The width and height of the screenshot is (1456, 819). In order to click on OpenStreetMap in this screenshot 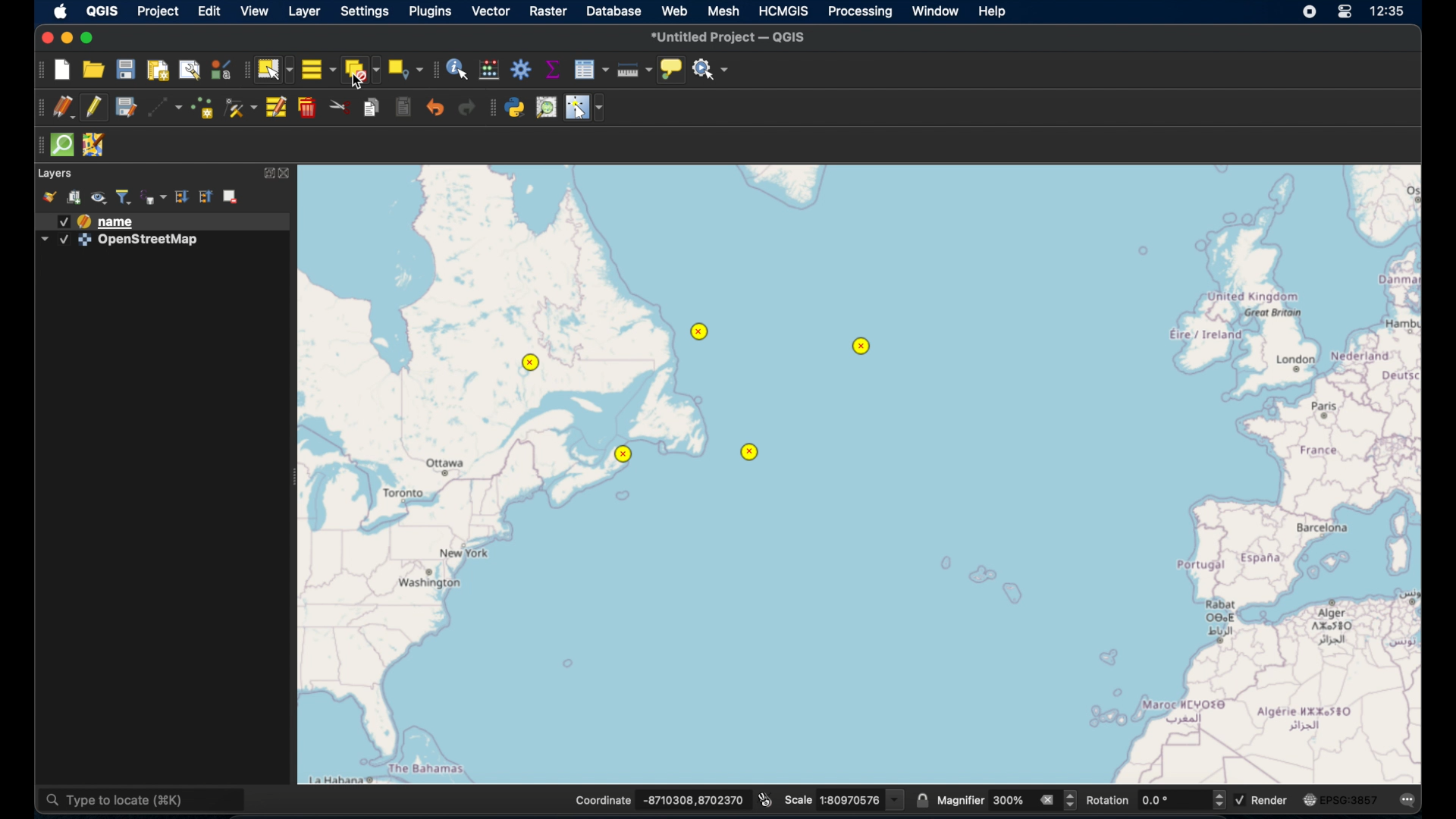, I will do `click(149, 240)`.